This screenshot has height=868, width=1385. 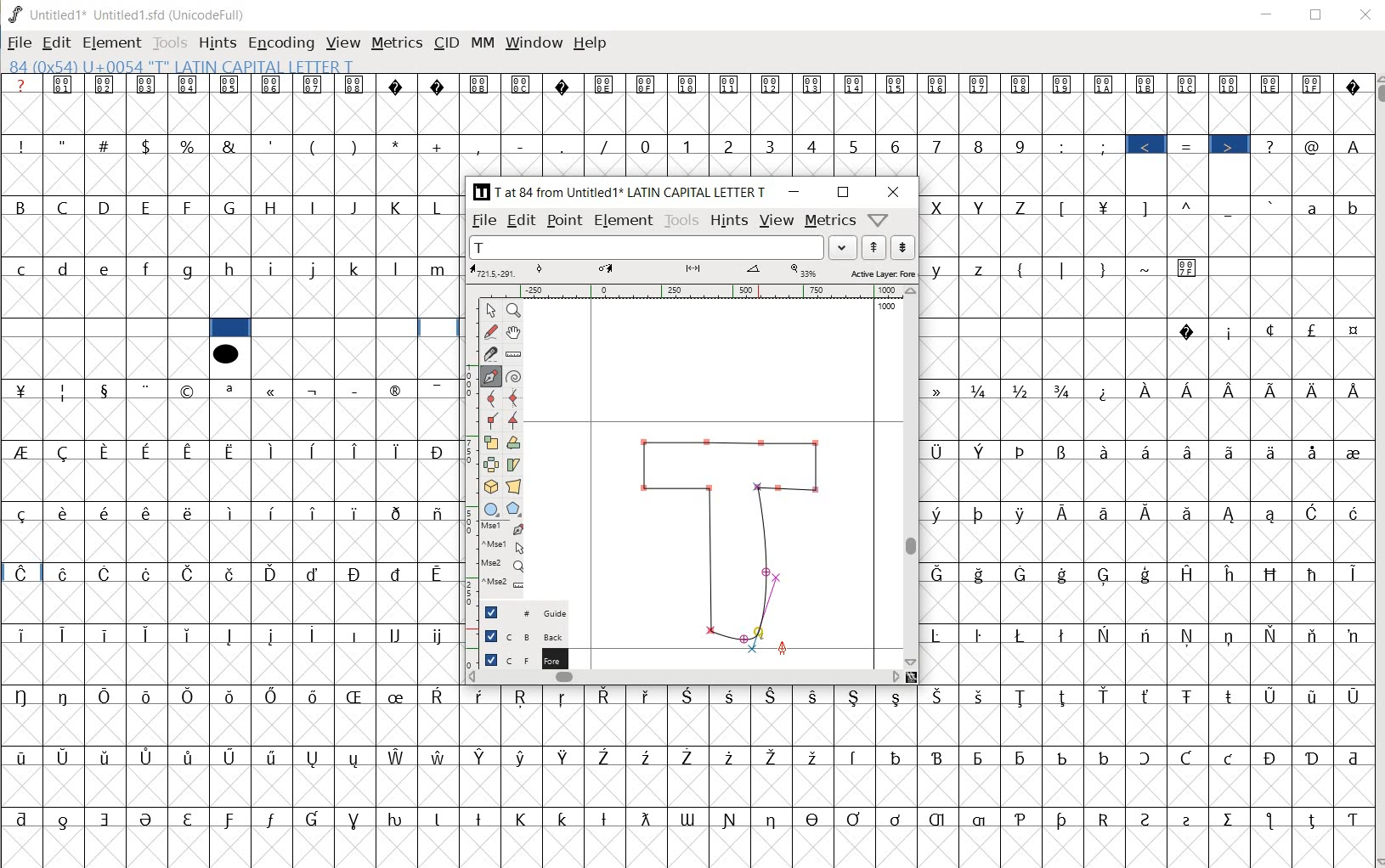 What do you see at coordinates (108, 208) in the screenshot?
I see `D` at bounding box center [108, 208].